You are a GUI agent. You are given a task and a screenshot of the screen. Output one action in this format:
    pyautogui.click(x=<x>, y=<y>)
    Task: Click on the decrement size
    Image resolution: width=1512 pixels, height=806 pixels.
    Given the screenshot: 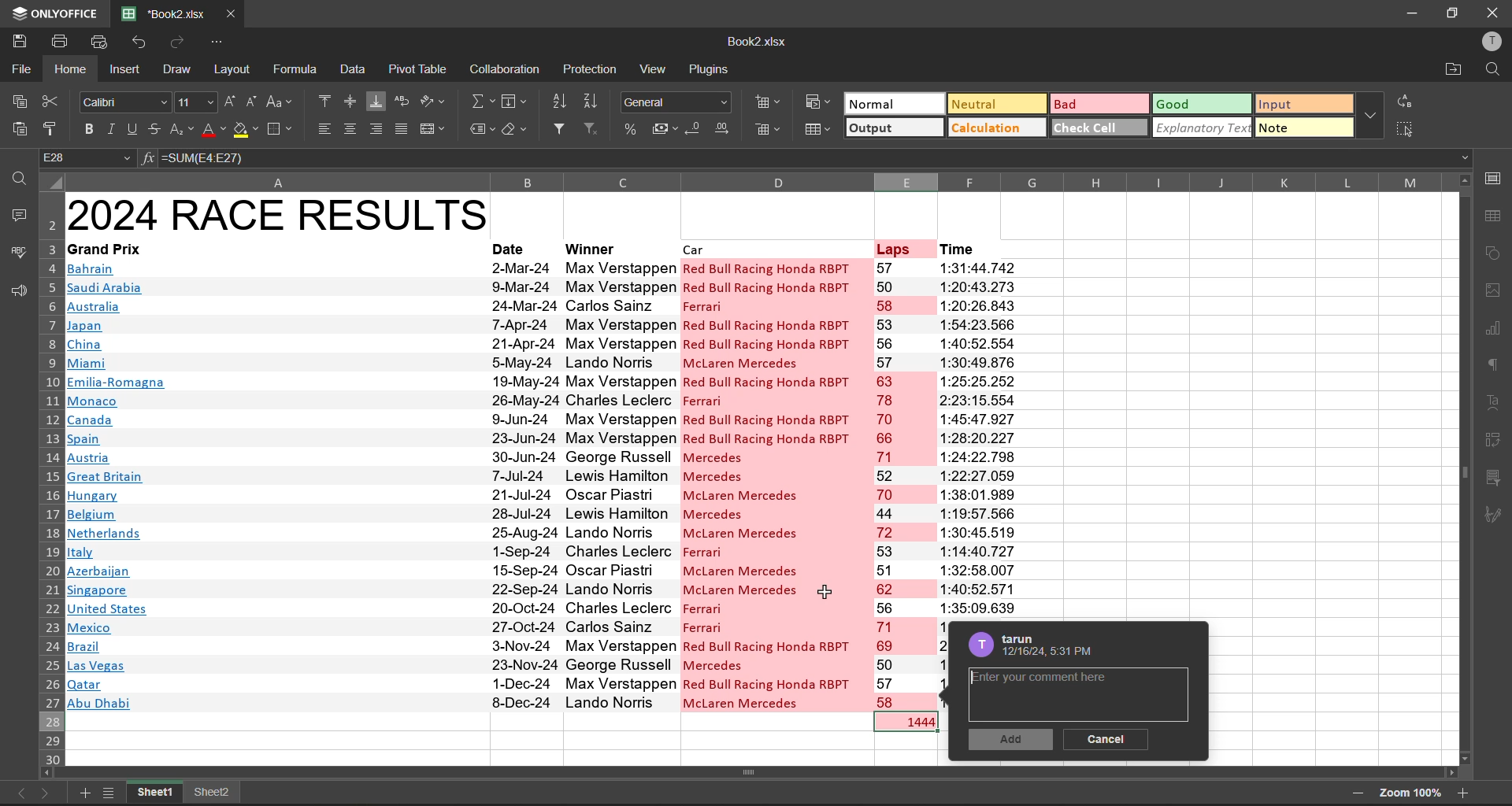 What is the action you would take?
    pyautogui.click(x=249, y=102)
    